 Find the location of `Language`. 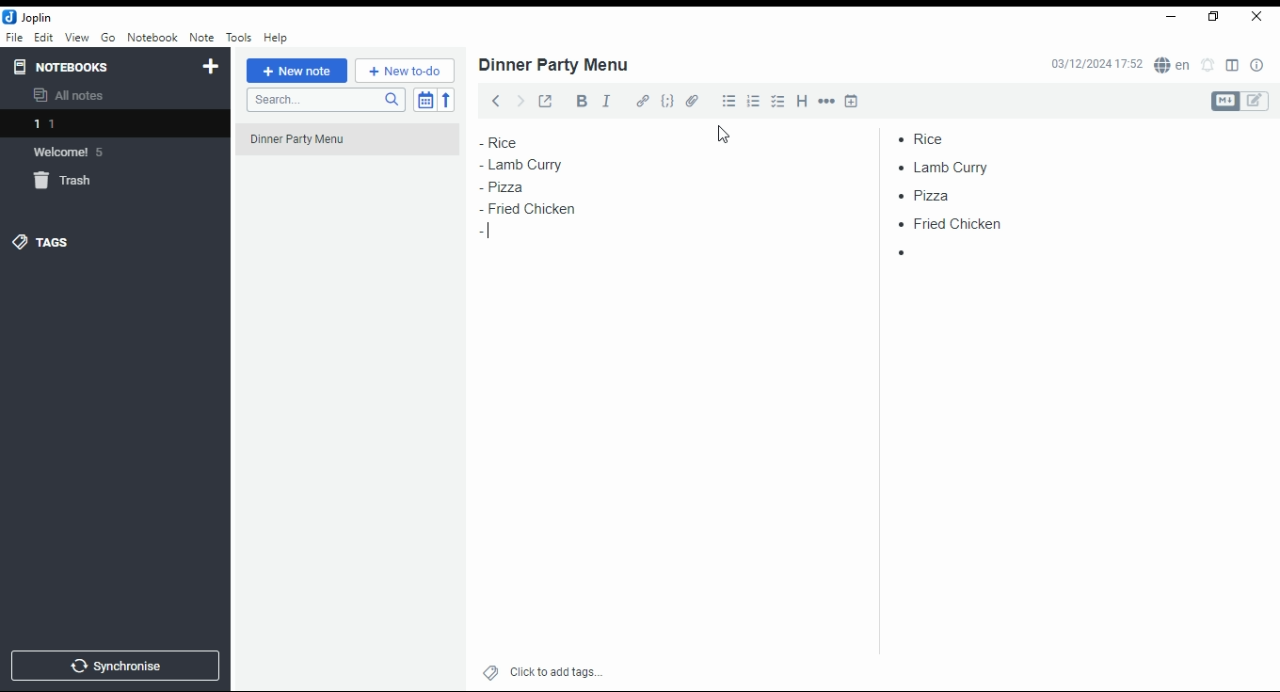

Language is located at coordinates (1171, 65).